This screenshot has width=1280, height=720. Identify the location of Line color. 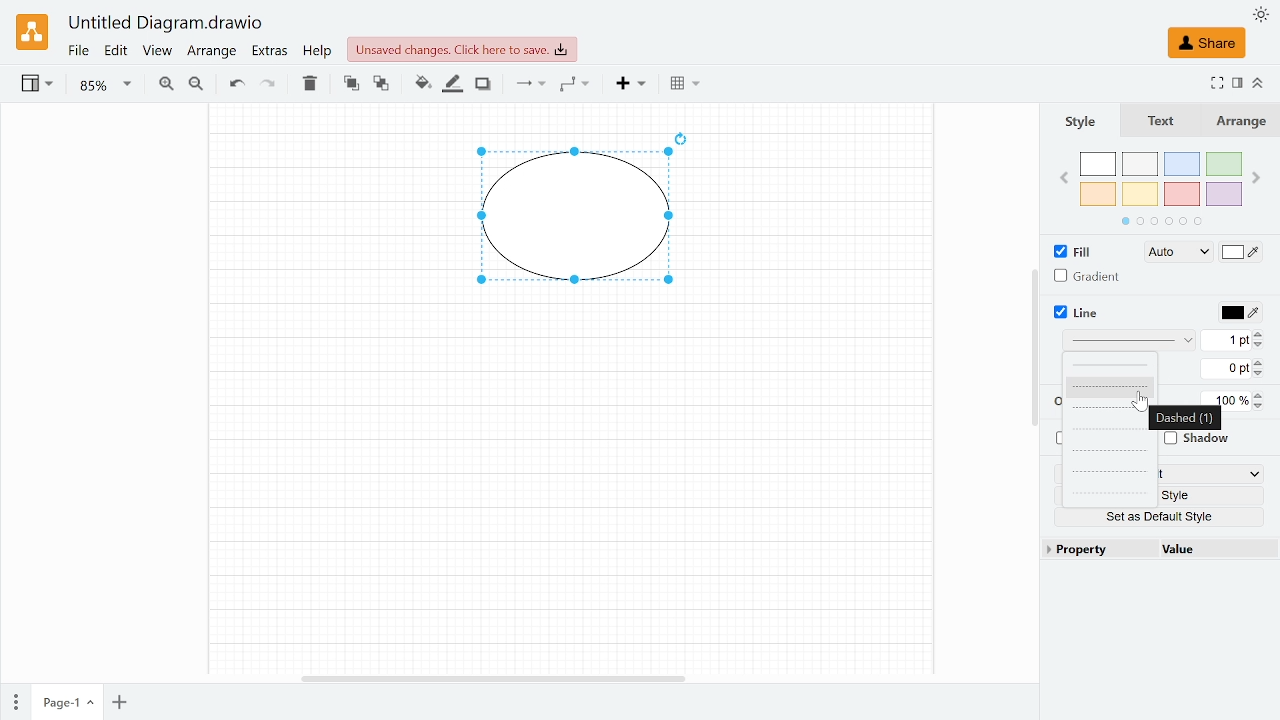
(1241, 314).